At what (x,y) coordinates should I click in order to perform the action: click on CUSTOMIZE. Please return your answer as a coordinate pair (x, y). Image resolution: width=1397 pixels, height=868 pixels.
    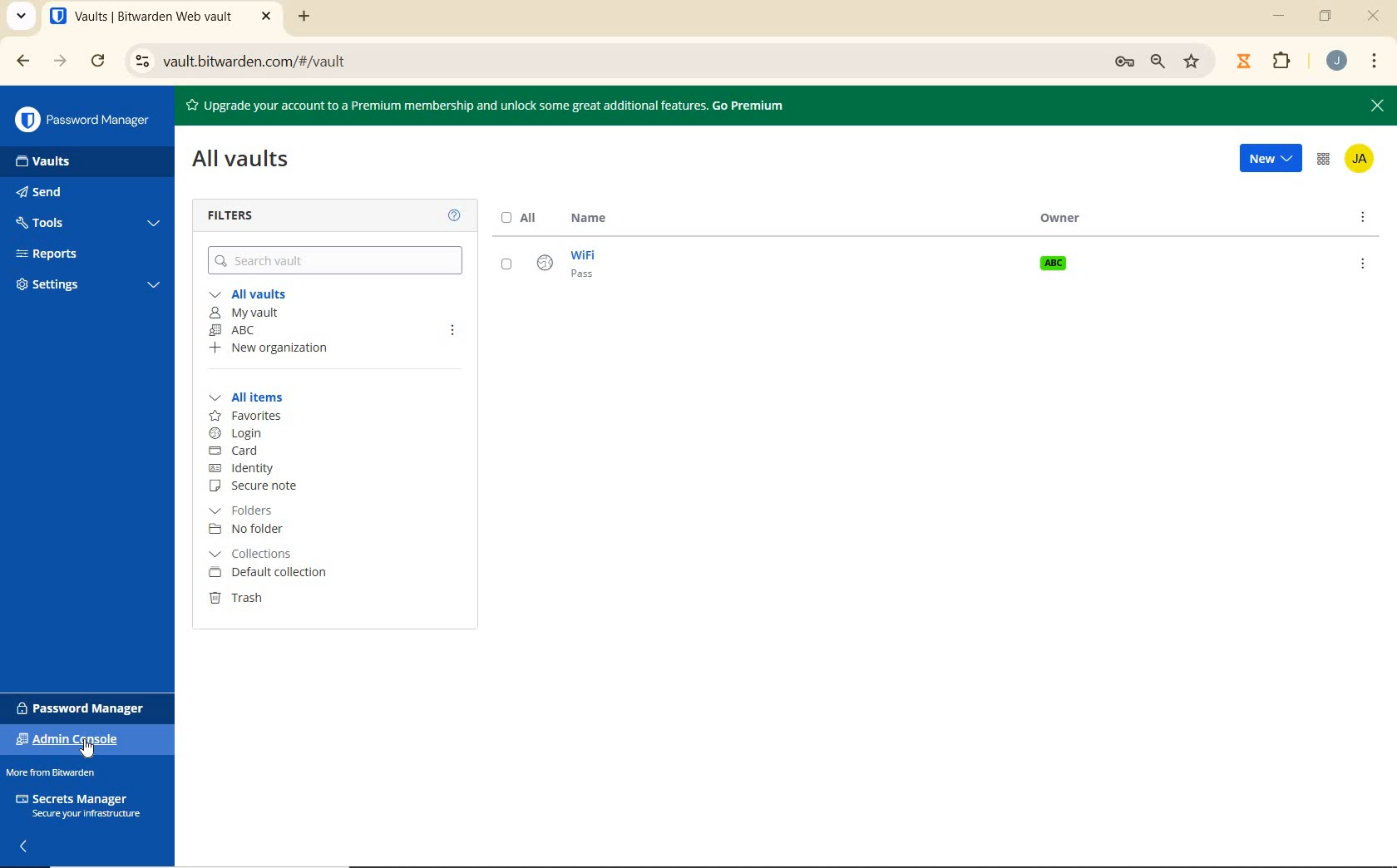
    Looking at the image, I should click on (1375, 61).